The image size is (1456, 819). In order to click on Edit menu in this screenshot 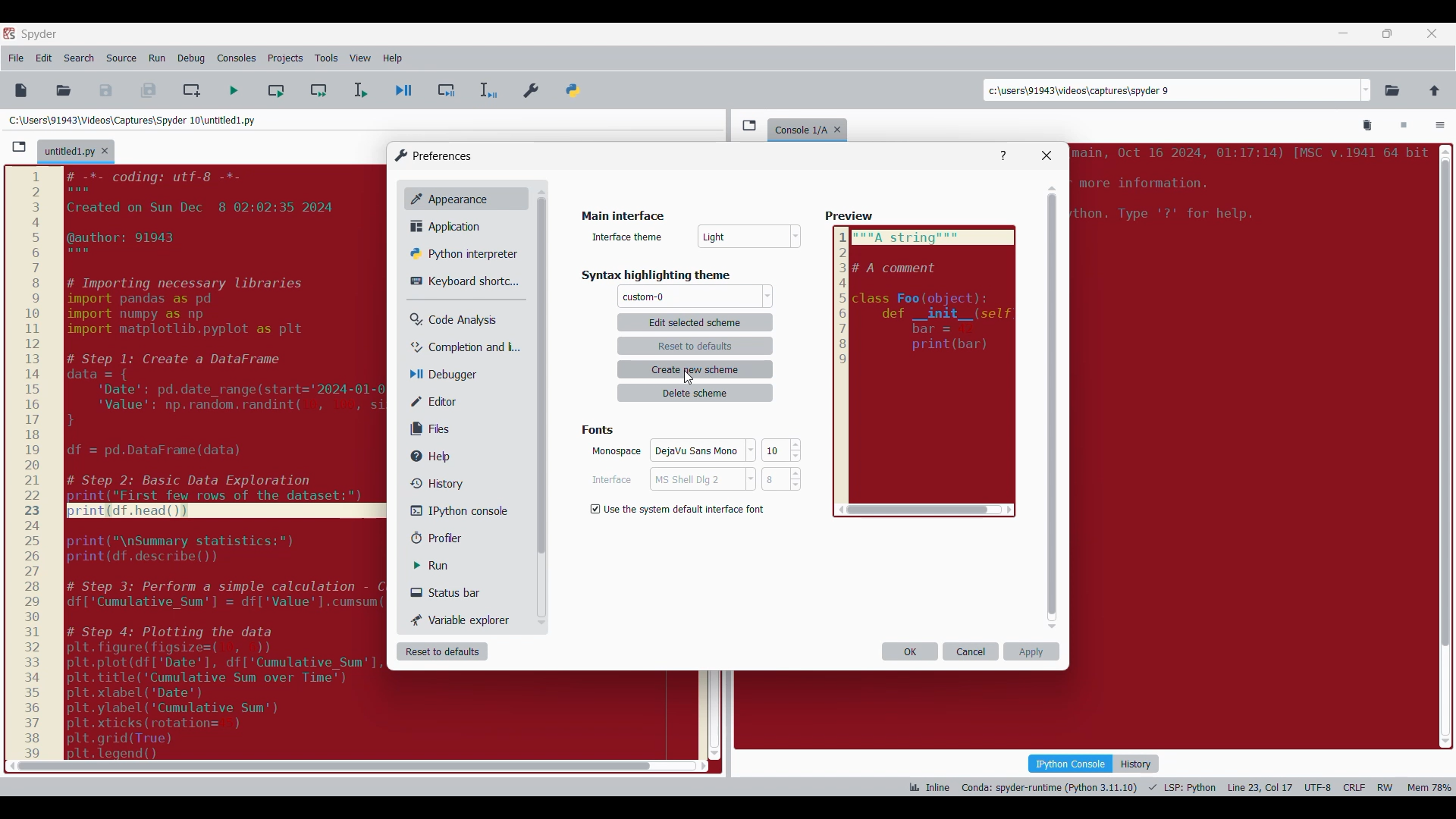, I will do `click(44, 58)`.